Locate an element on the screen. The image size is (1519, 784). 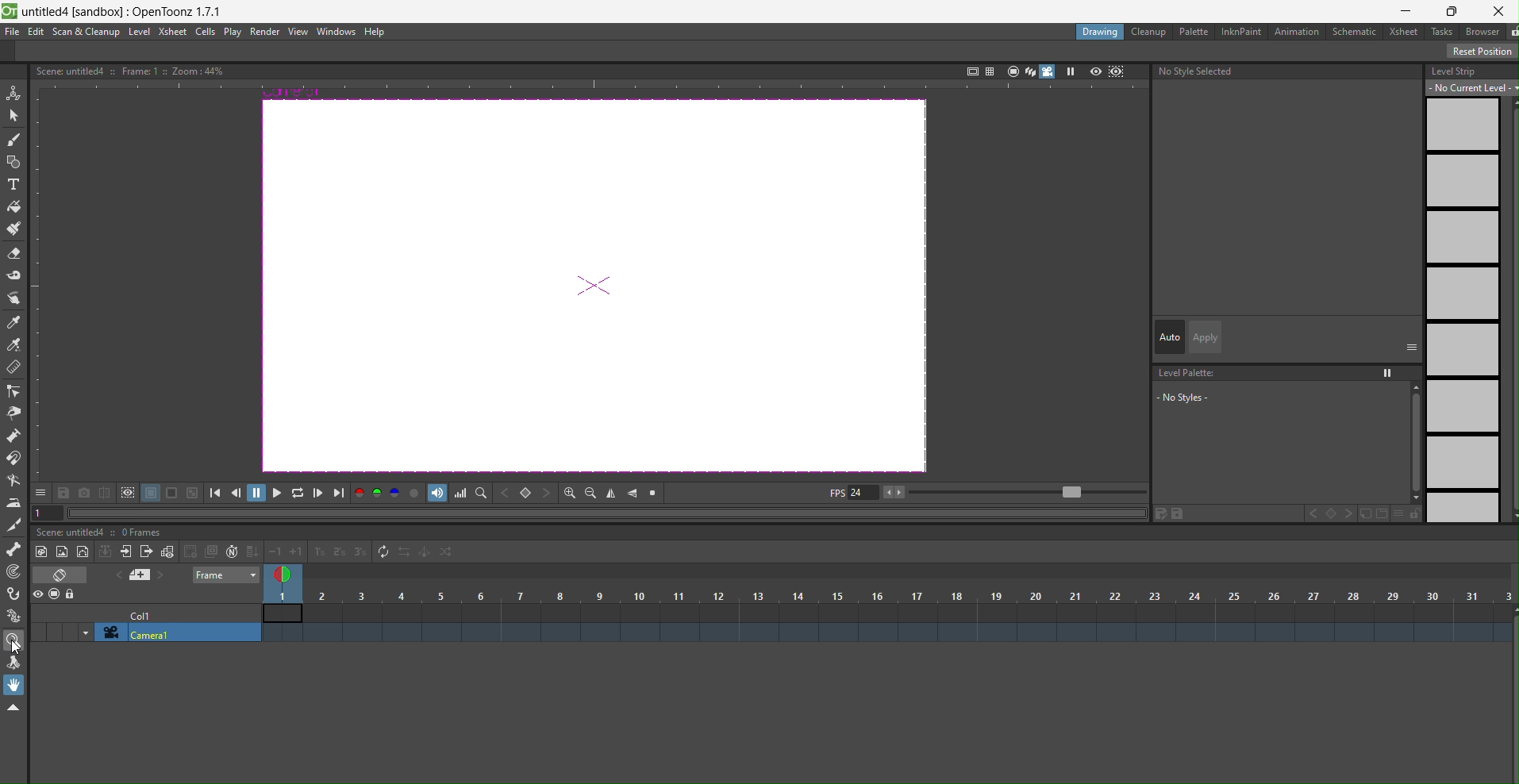
playback options is located at coordinates (278, 493).